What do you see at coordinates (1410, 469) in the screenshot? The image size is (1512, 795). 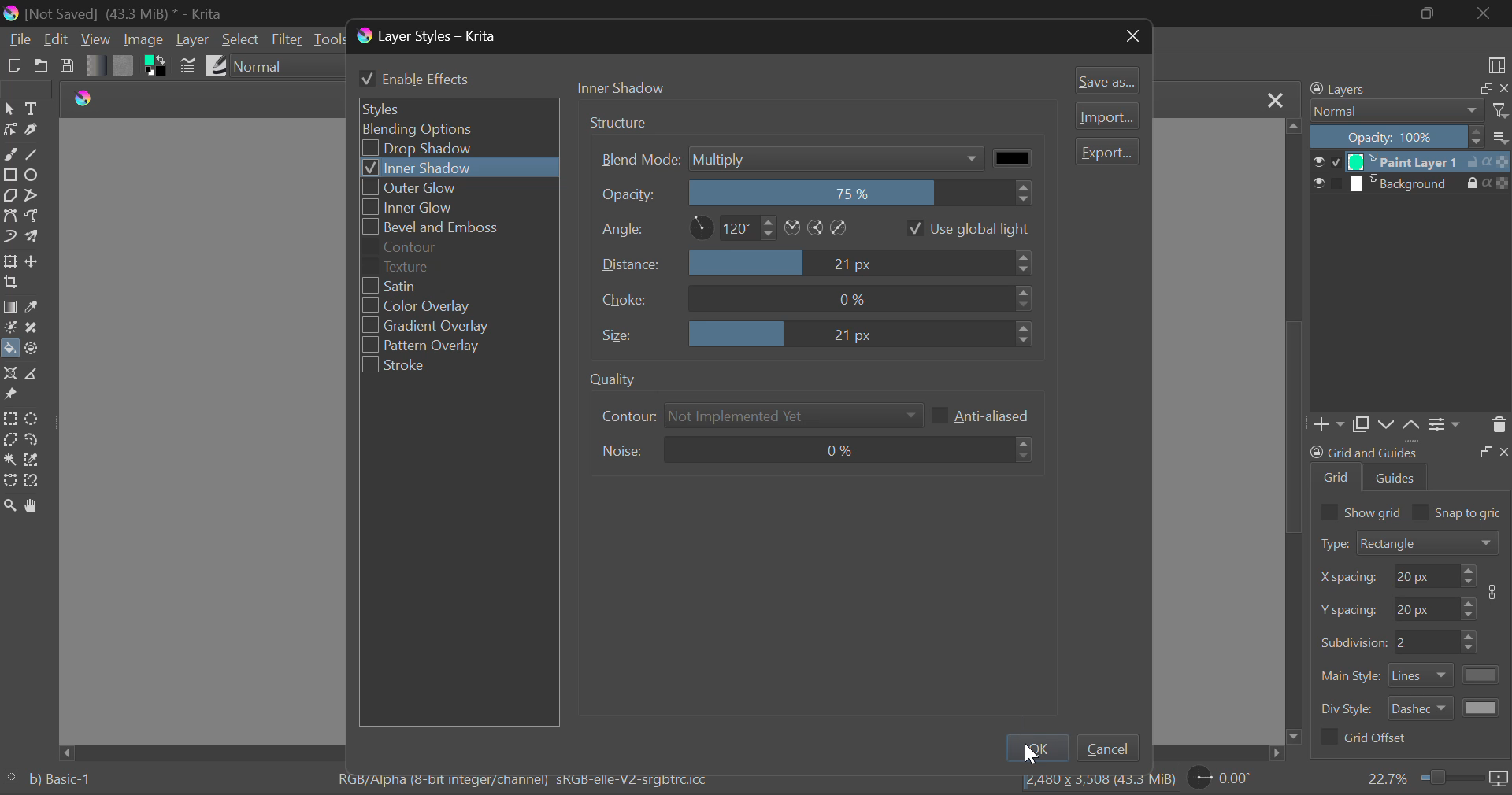 I see `Grid and Guides Docker Tab` at bounding box center [1410, 469].